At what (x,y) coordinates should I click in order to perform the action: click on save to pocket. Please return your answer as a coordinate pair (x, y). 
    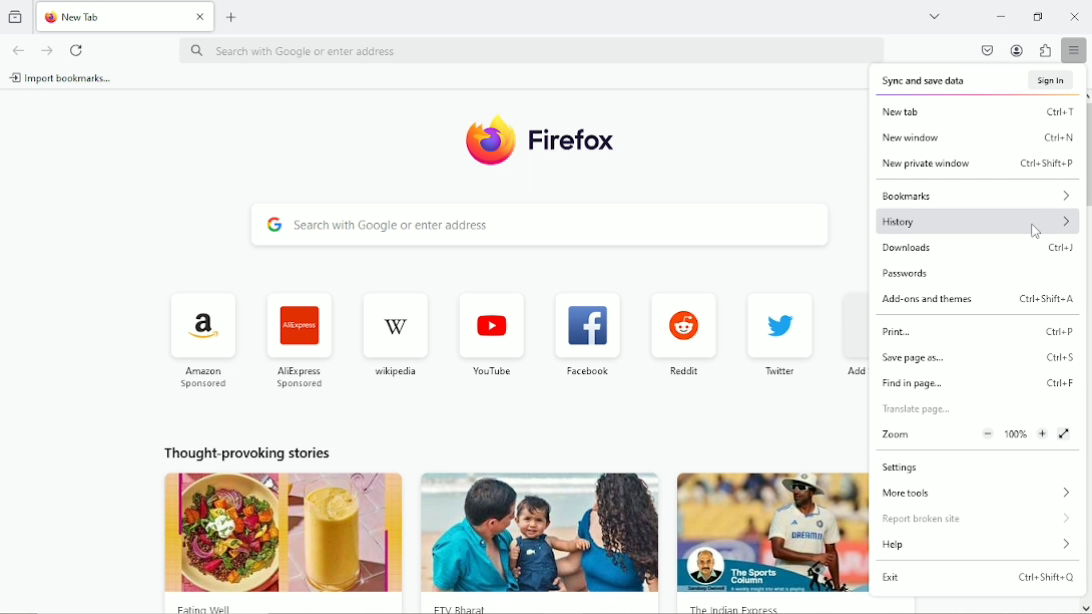
    Looking at the image, I should click on (985, 49).